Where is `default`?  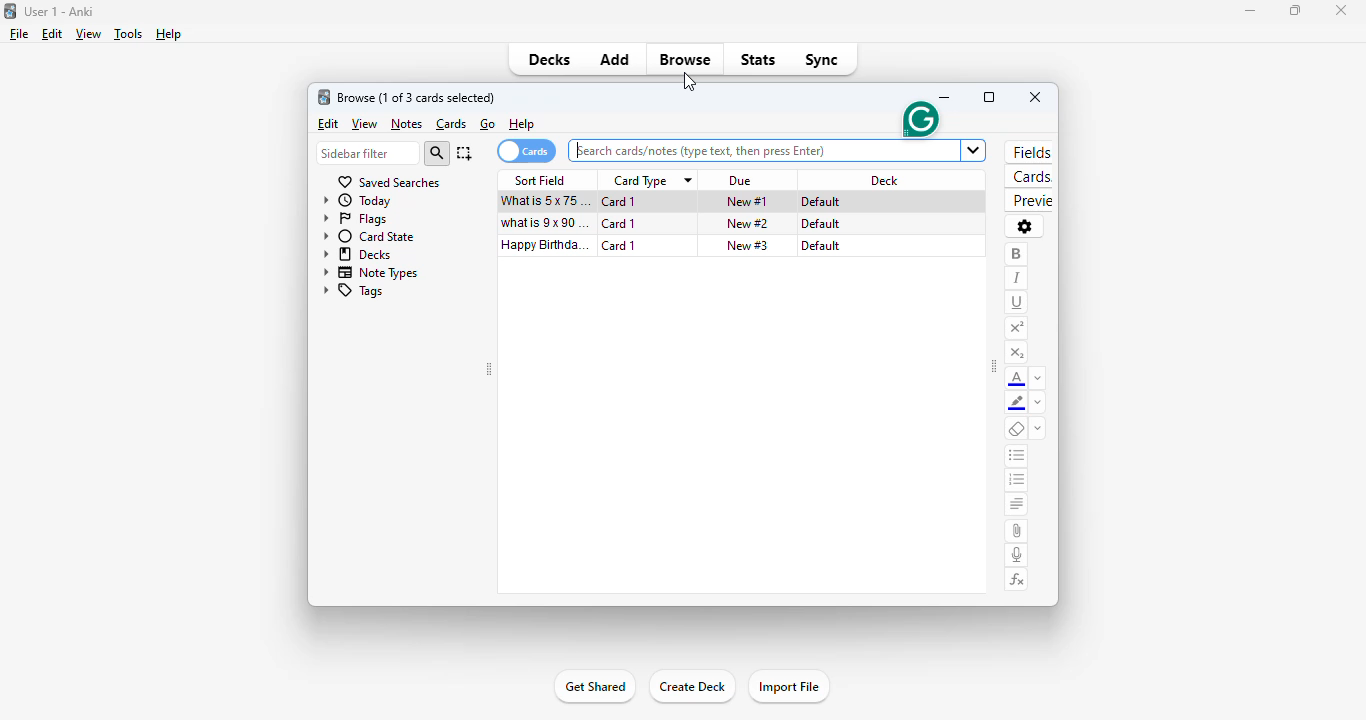
default is located at coordinates (820, 202).